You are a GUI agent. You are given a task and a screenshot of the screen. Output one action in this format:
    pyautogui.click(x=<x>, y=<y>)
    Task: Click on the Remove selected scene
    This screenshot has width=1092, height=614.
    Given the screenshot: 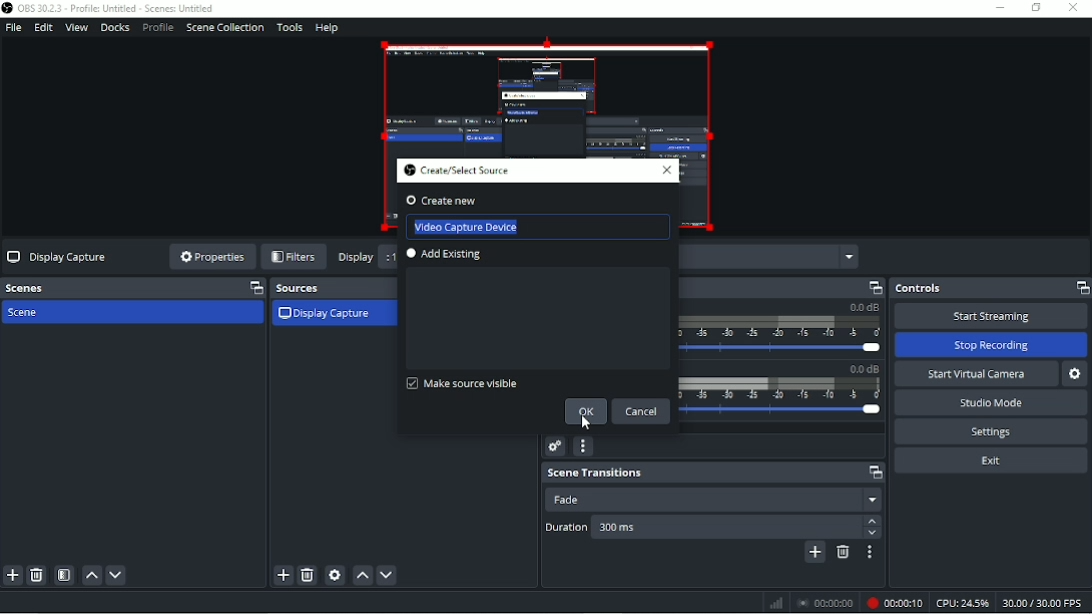 What is the action you would take?
    pyautogui.click(x=36, y=575)
    